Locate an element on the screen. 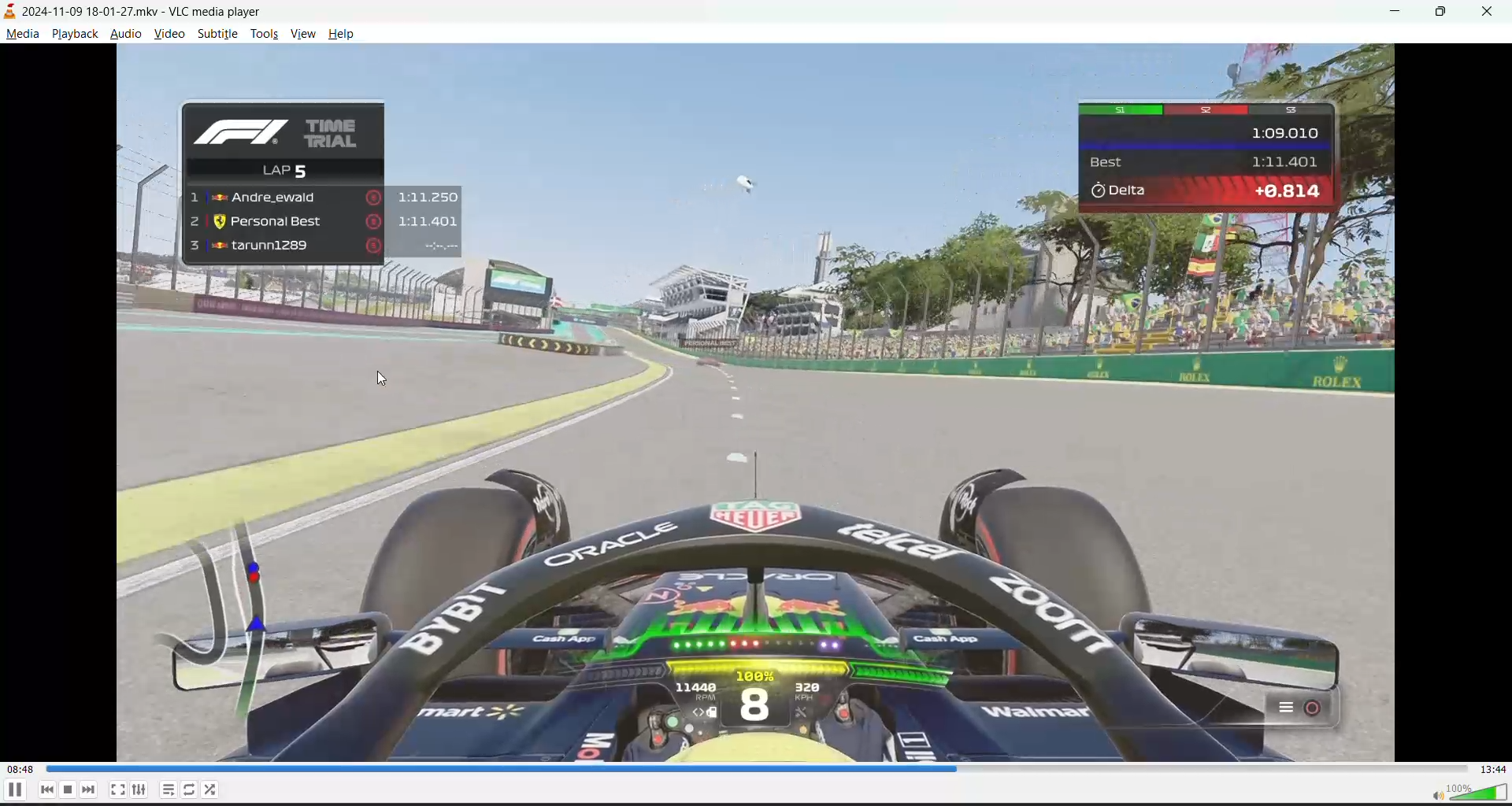 The image size is (1512, 806). tools is located at coordinates (263, 35).